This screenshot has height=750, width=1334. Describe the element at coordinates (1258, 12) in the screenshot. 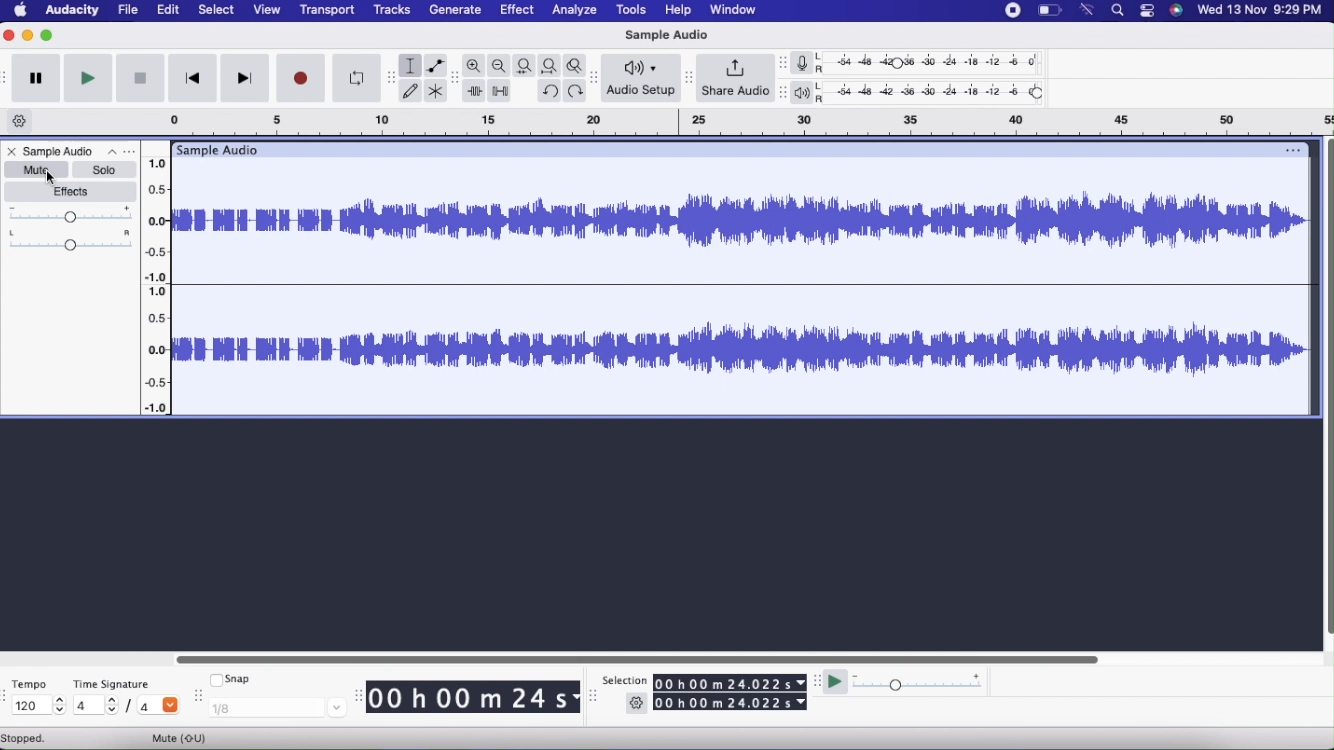

I see `Wed 13 Nov 9:29 PM` at that location.